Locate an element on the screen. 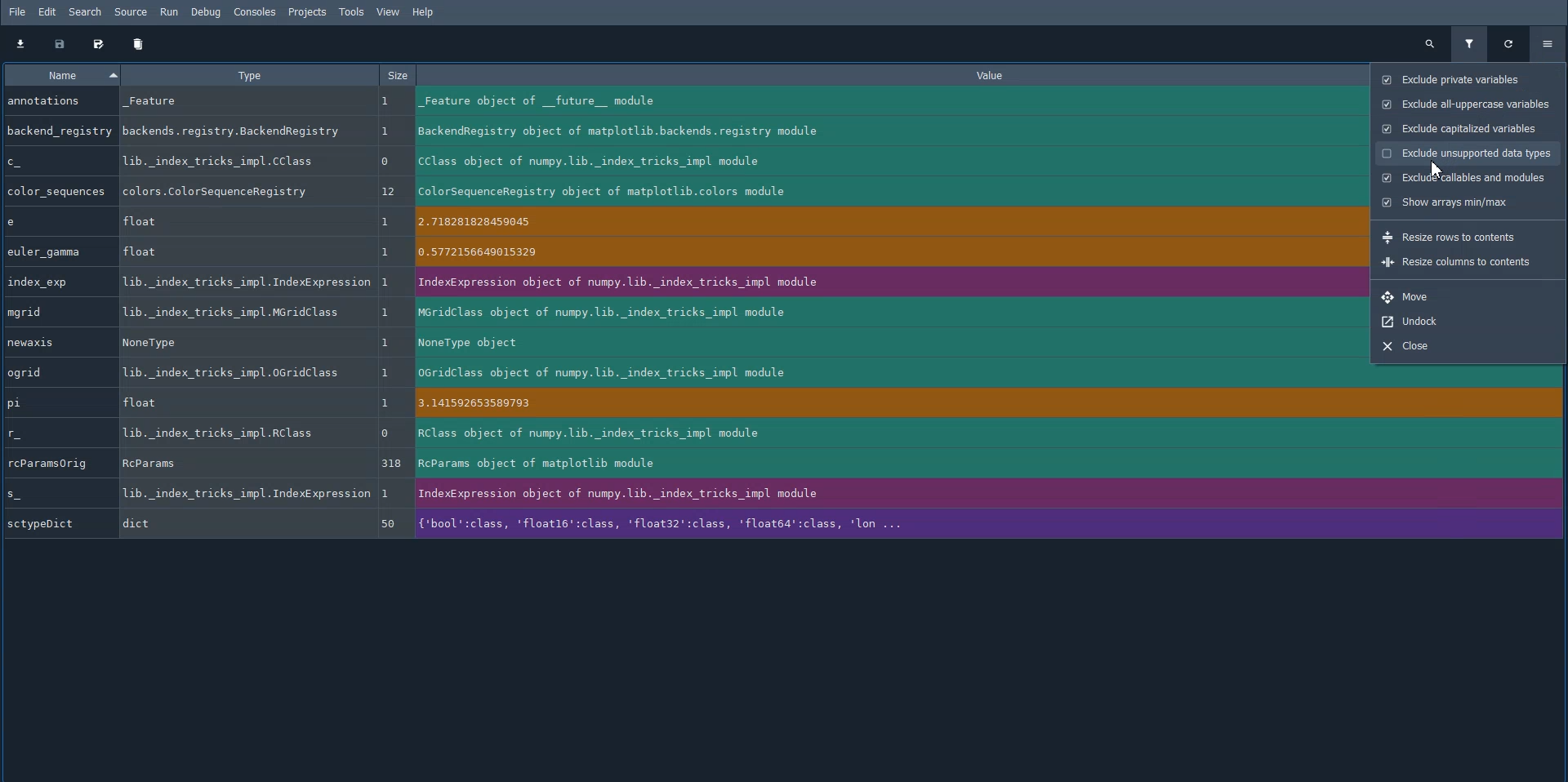  rcparam0rig is located at coordinates (56, 463).